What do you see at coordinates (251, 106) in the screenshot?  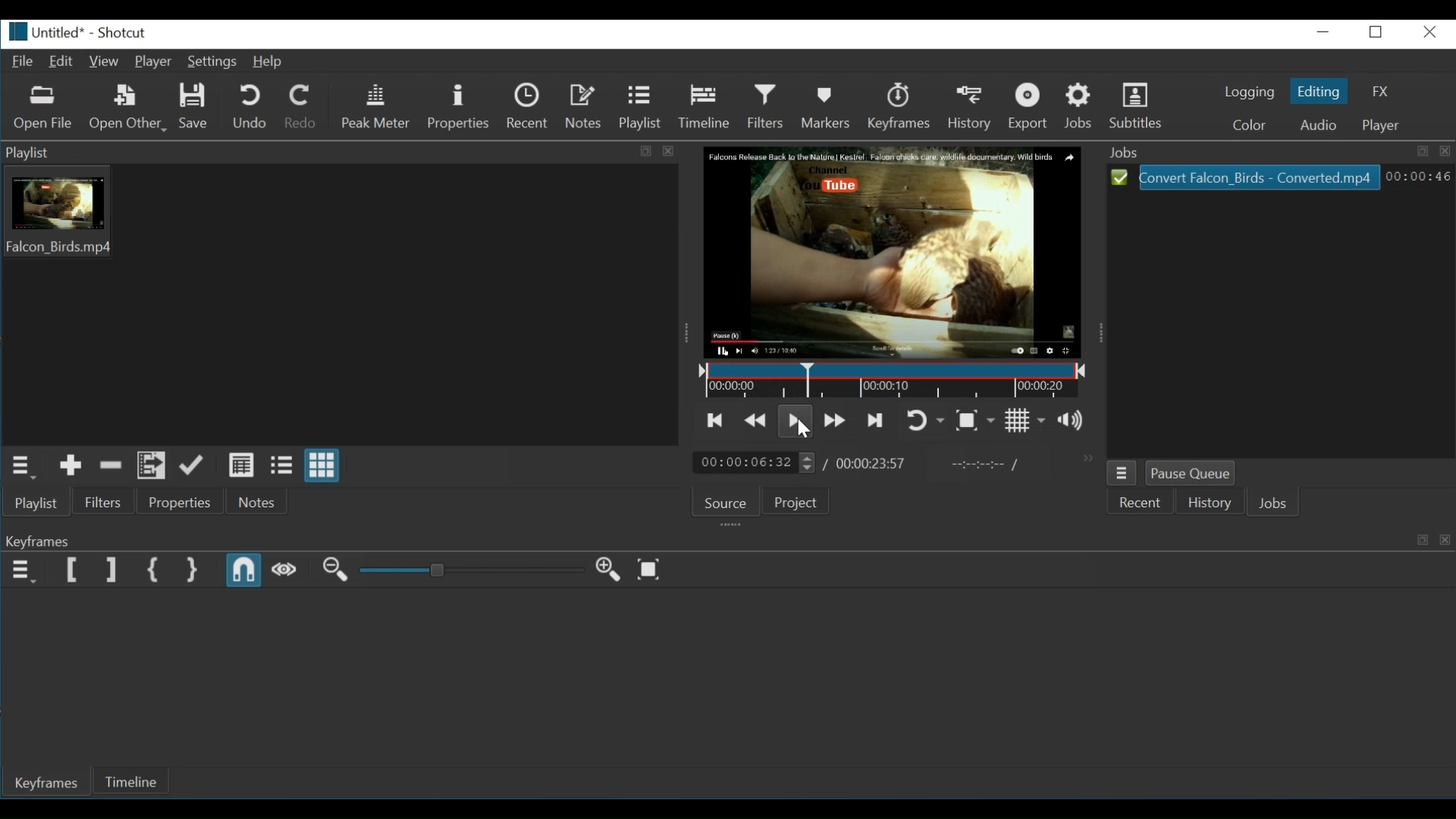 I see `Undo` at bounding box center [251, 106].